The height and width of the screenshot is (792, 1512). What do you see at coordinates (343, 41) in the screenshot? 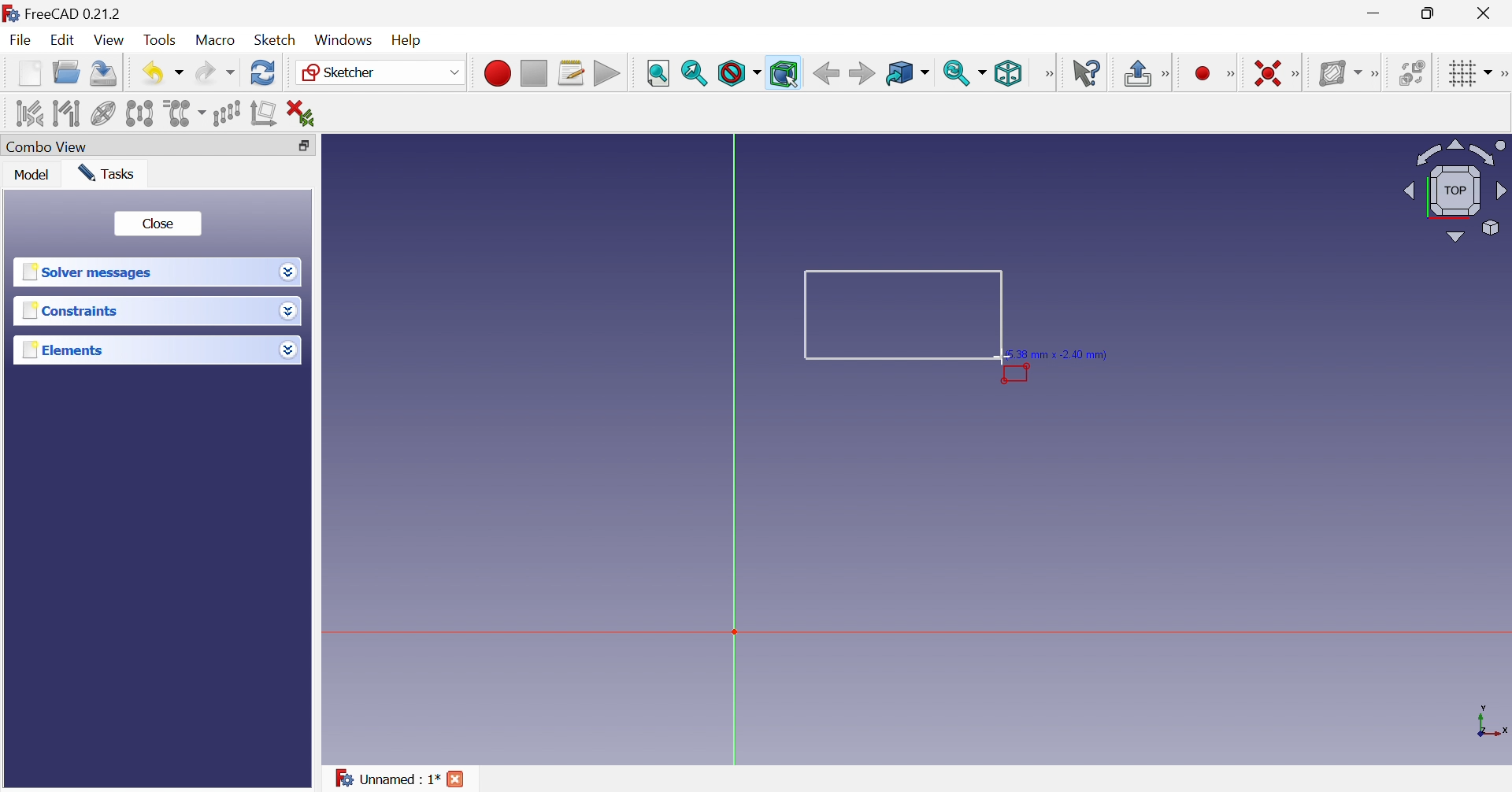
I see `Windows` at bounding box center [343, 41].